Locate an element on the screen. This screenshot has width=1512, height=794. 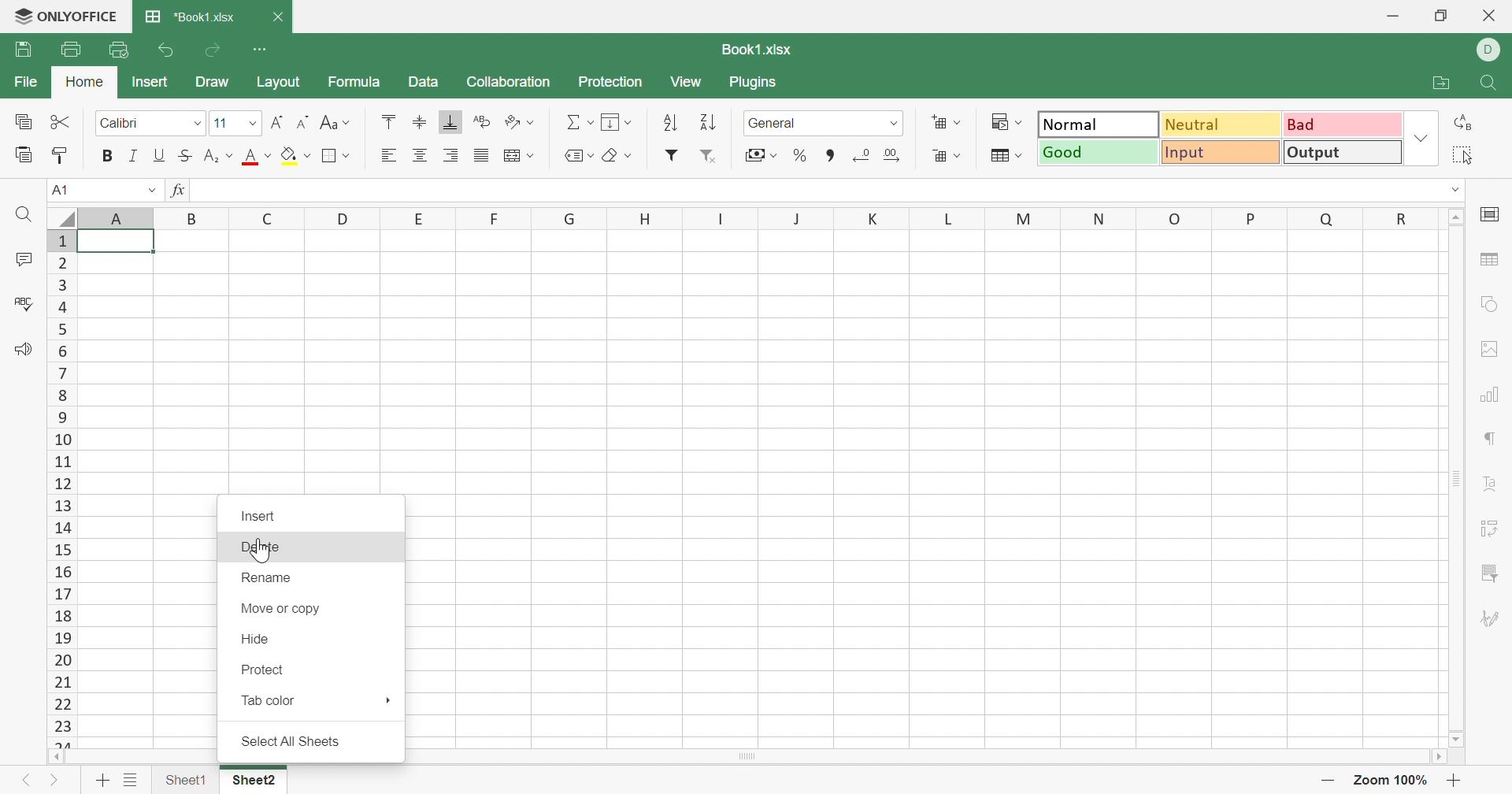
Orientation is located at coordinates (510, 121).